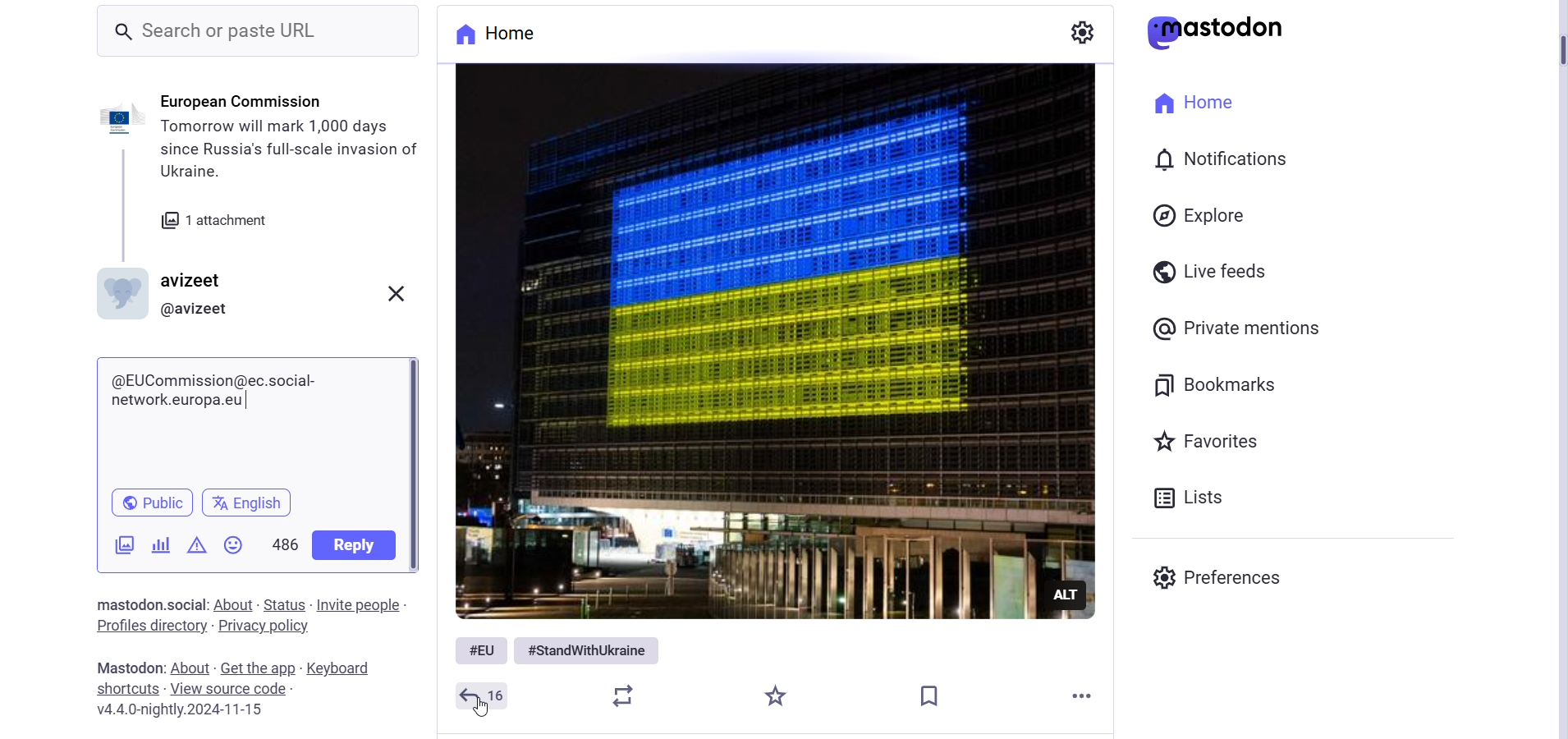 This screenshot has height=739, width=1568. What do you see at coordinates (1208, 441) in the screenshot?
I see `Favorites` at bounding box center [1208, 441].